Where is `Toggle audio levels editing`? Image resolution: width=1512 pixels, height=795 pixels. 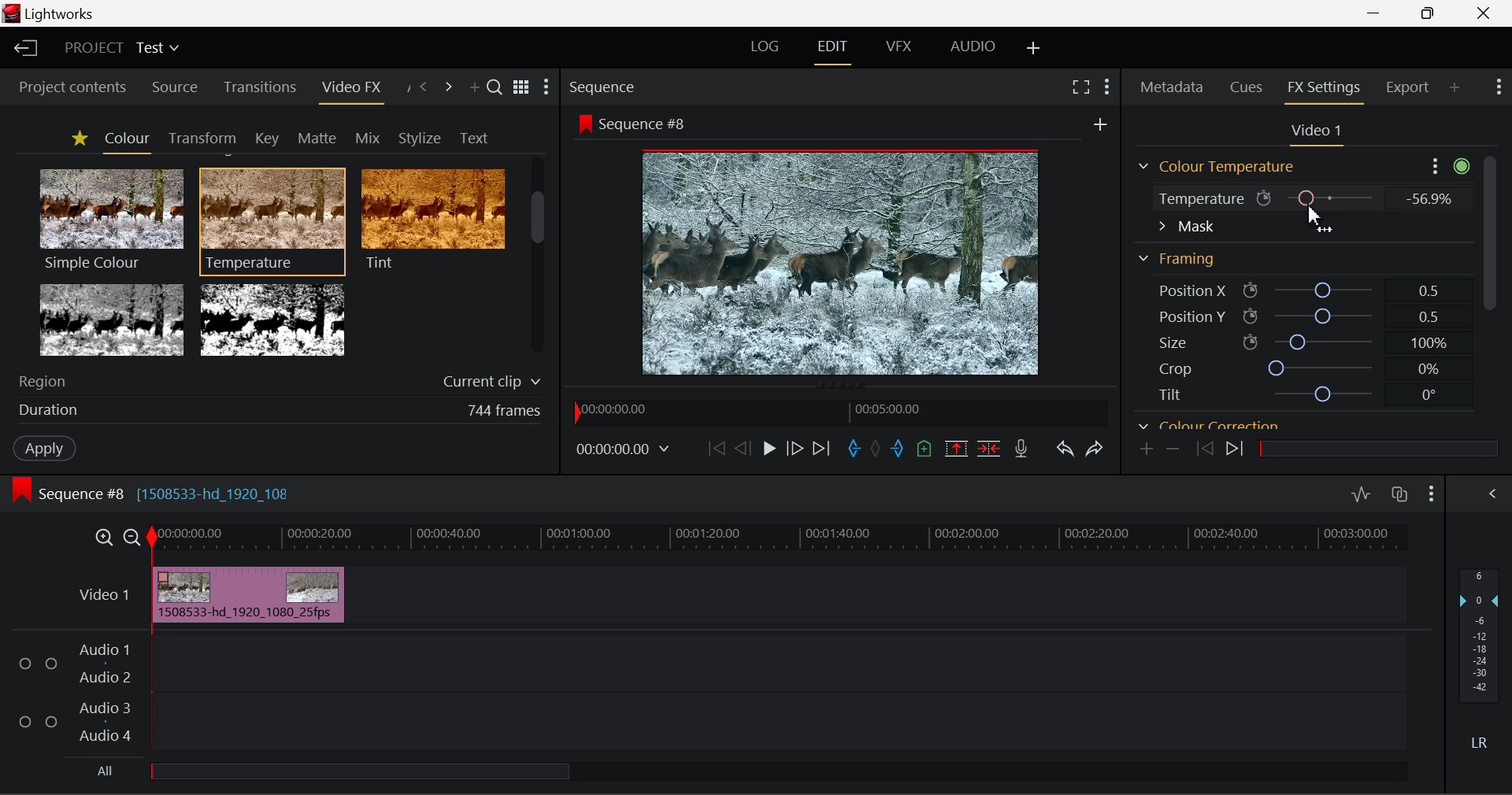
Toggle audio levels editing is located at coordinates (1360, 492).